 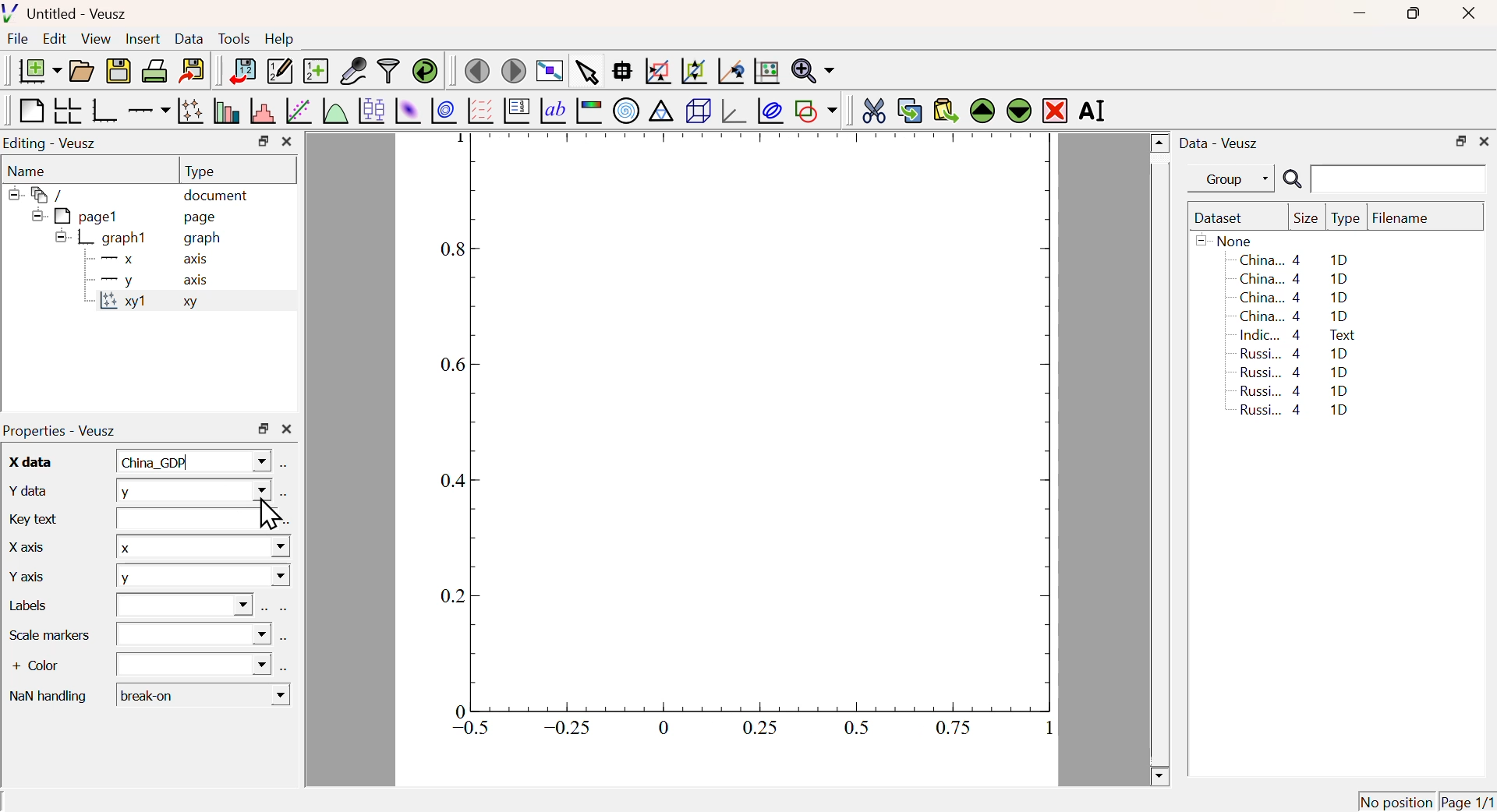 What do you see at coordinates (203, 695) in the screenshot?
I see `Break-on` at bounding box center [203, 695].